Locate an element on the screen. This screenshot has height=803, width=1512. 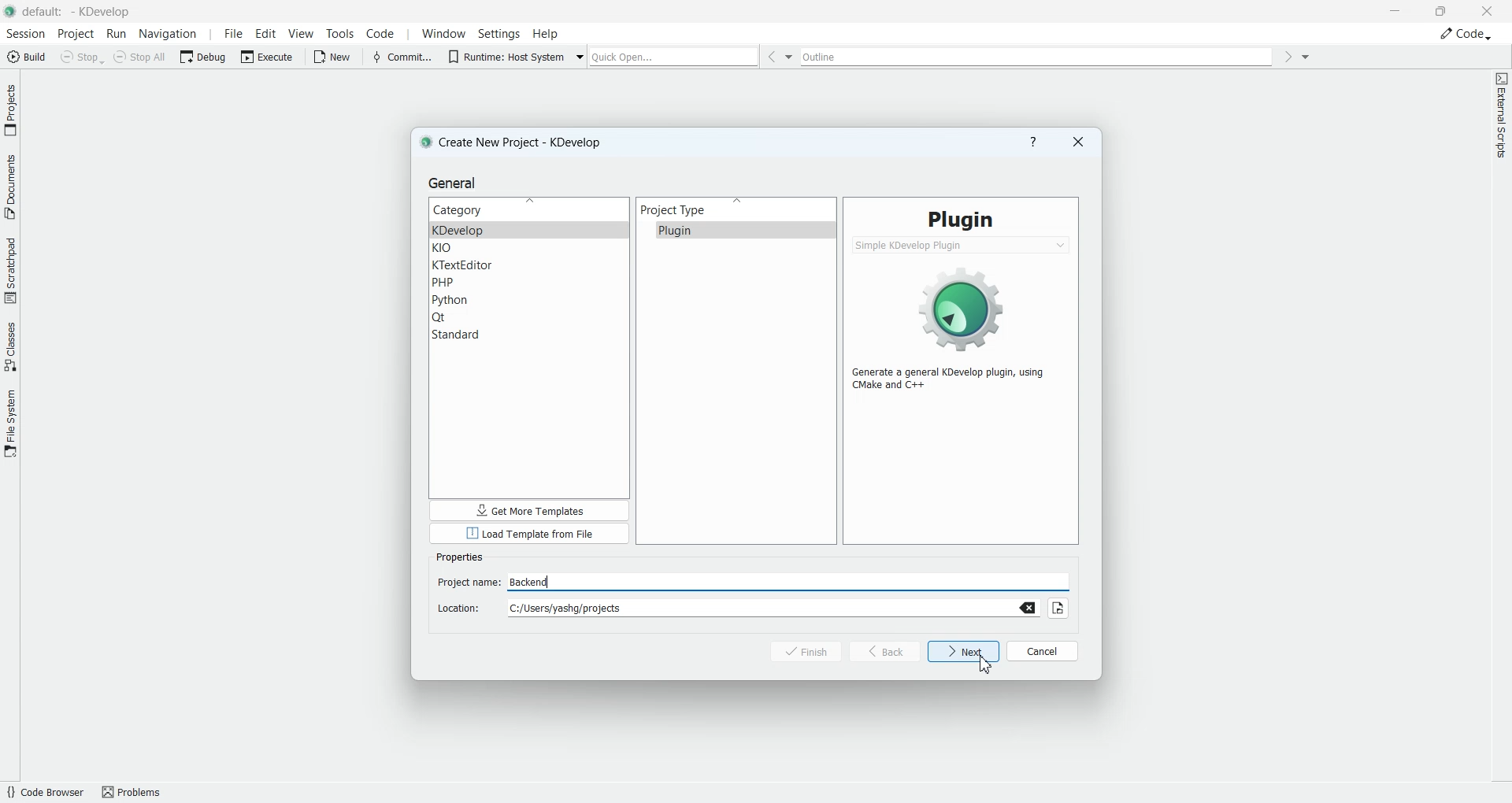
Get more template is located at coordinates (526, 509).